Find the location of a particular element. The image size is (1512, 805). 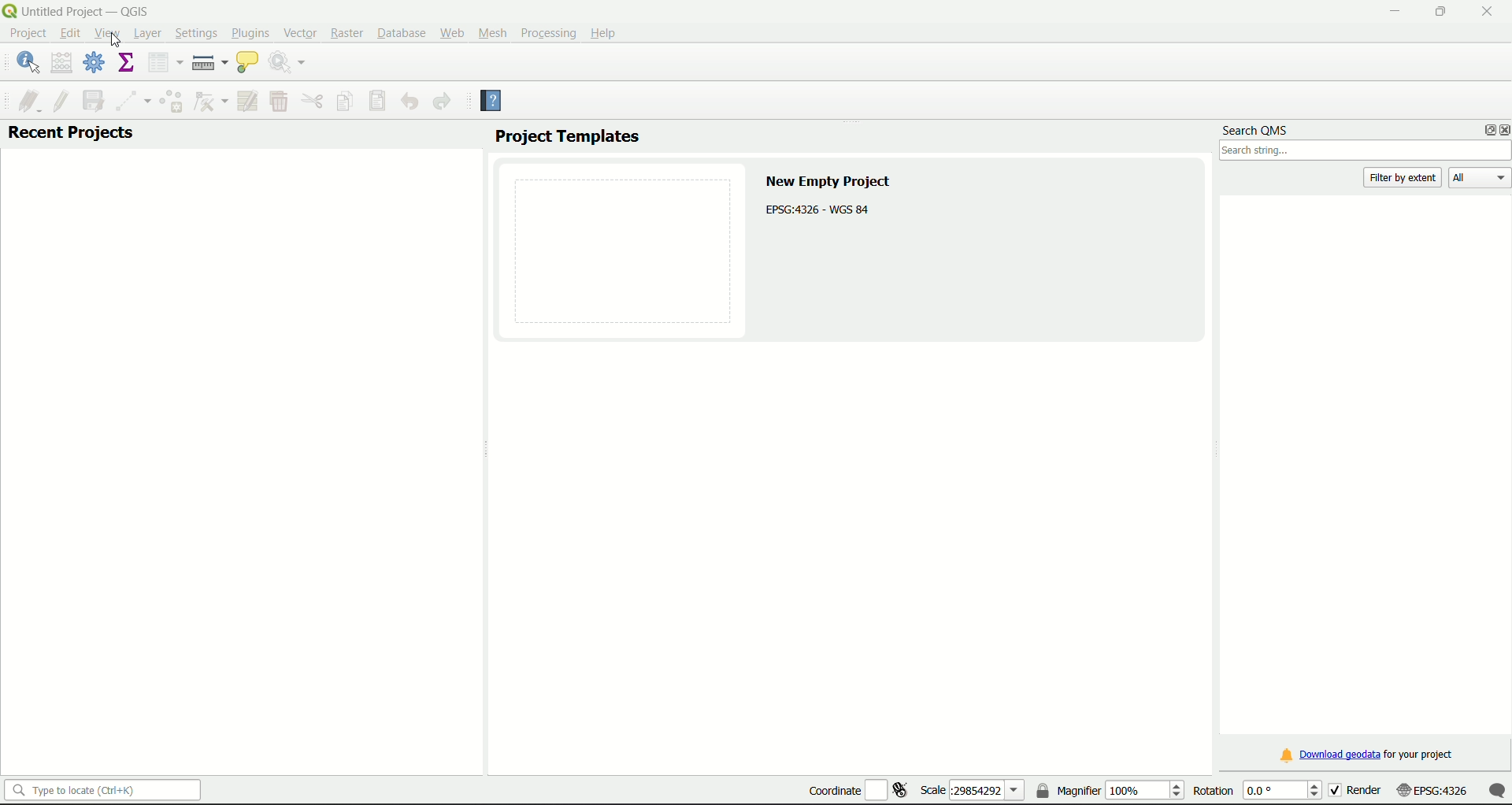

toolbox is located at coordinates (94, 62).